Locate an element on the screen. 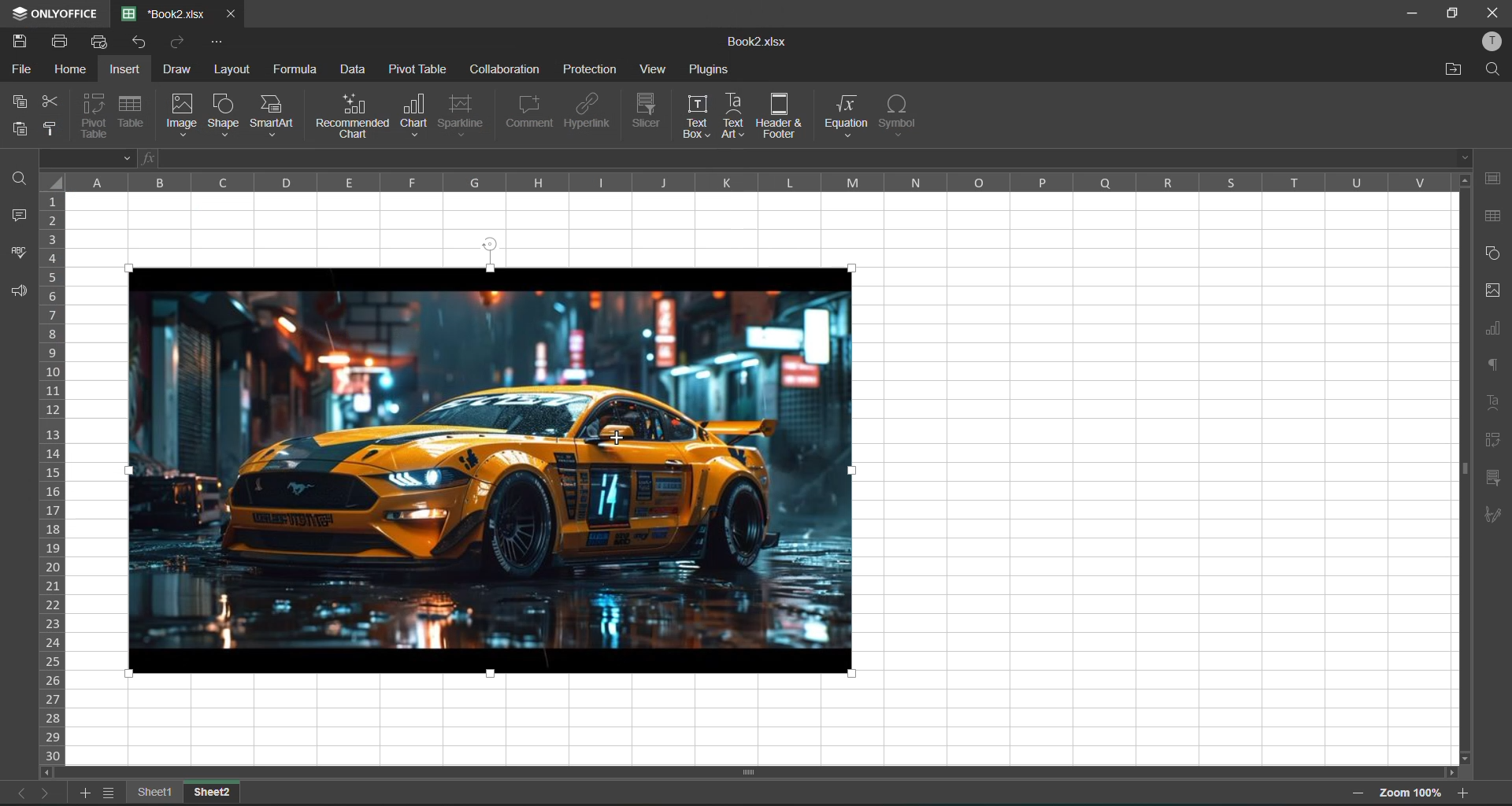 This screenshot has width=1512, height=806. images is located at coordinates (1495, 289).